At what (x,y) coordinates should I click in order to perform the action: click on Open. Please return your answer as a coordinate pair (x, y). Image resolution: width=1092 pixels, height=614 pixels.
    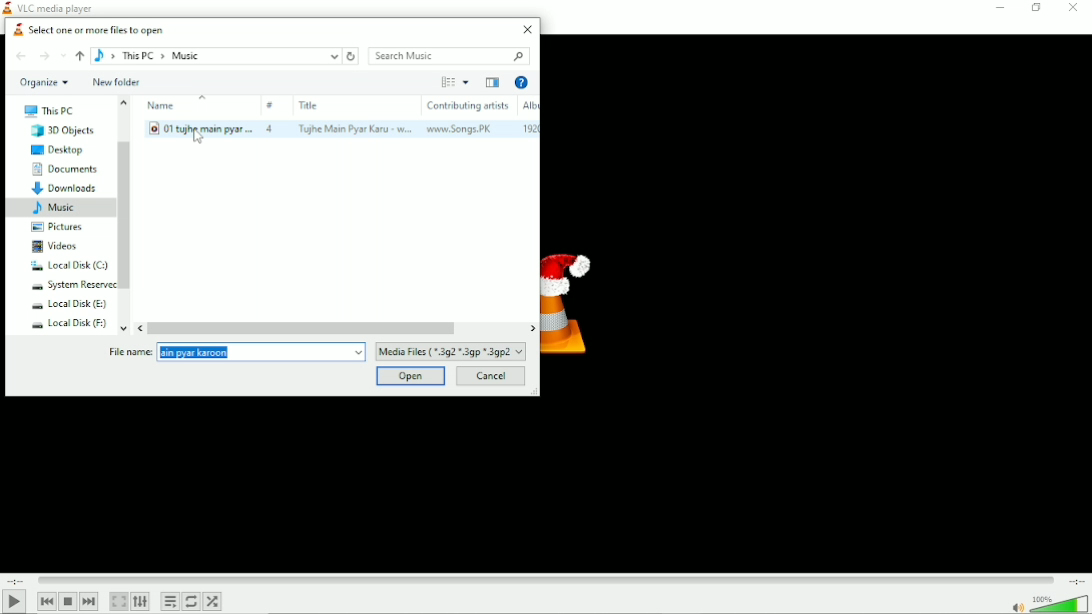
    Looking at the image, I should click on (410, 376).